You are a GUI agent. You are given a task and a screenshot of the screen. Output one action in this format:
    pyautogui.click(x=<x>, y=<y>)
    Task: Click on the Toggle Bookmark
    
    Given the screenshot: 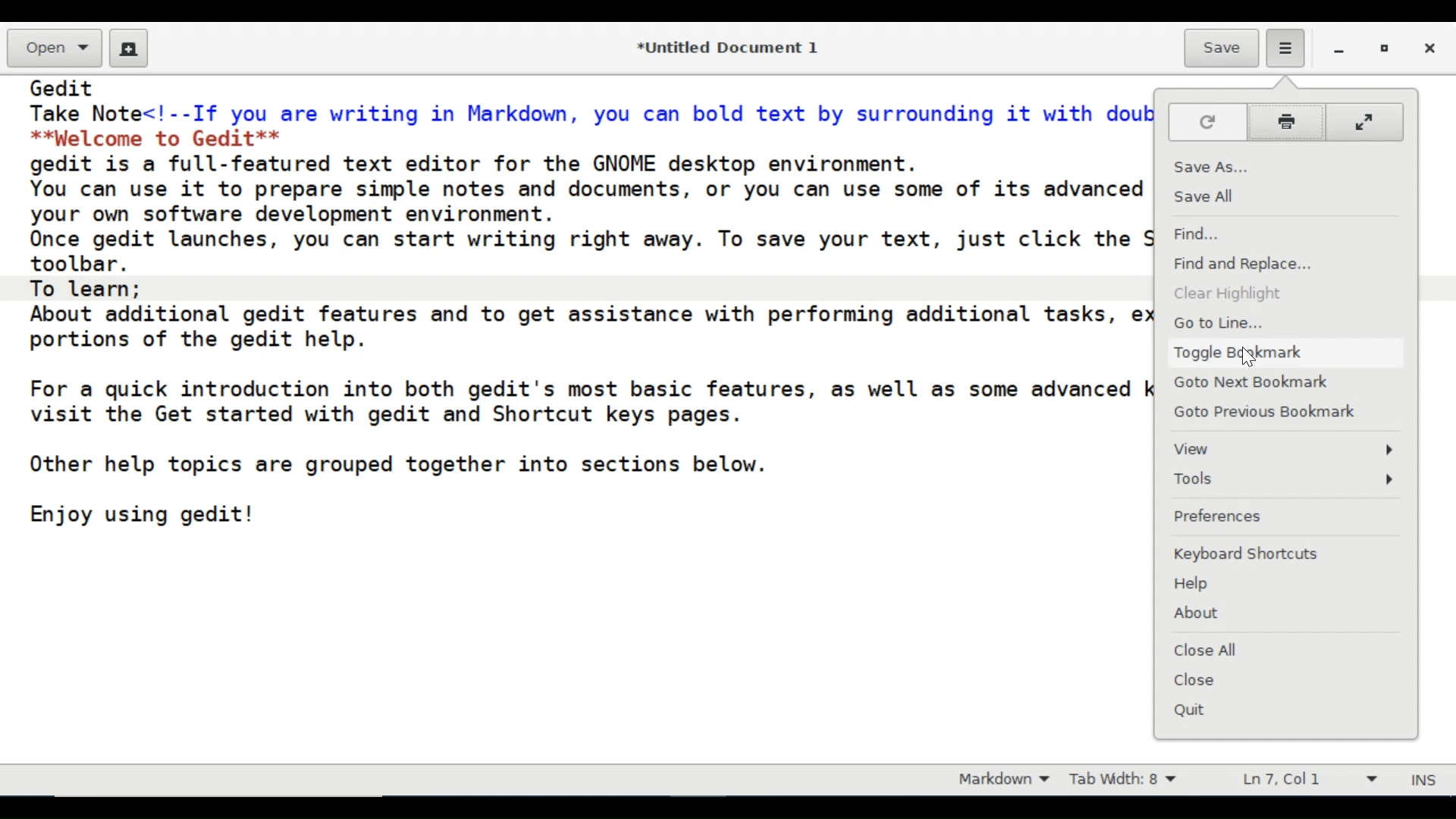 What is the action you would take?
    pyautogui.click(x=1239, y=354)
    